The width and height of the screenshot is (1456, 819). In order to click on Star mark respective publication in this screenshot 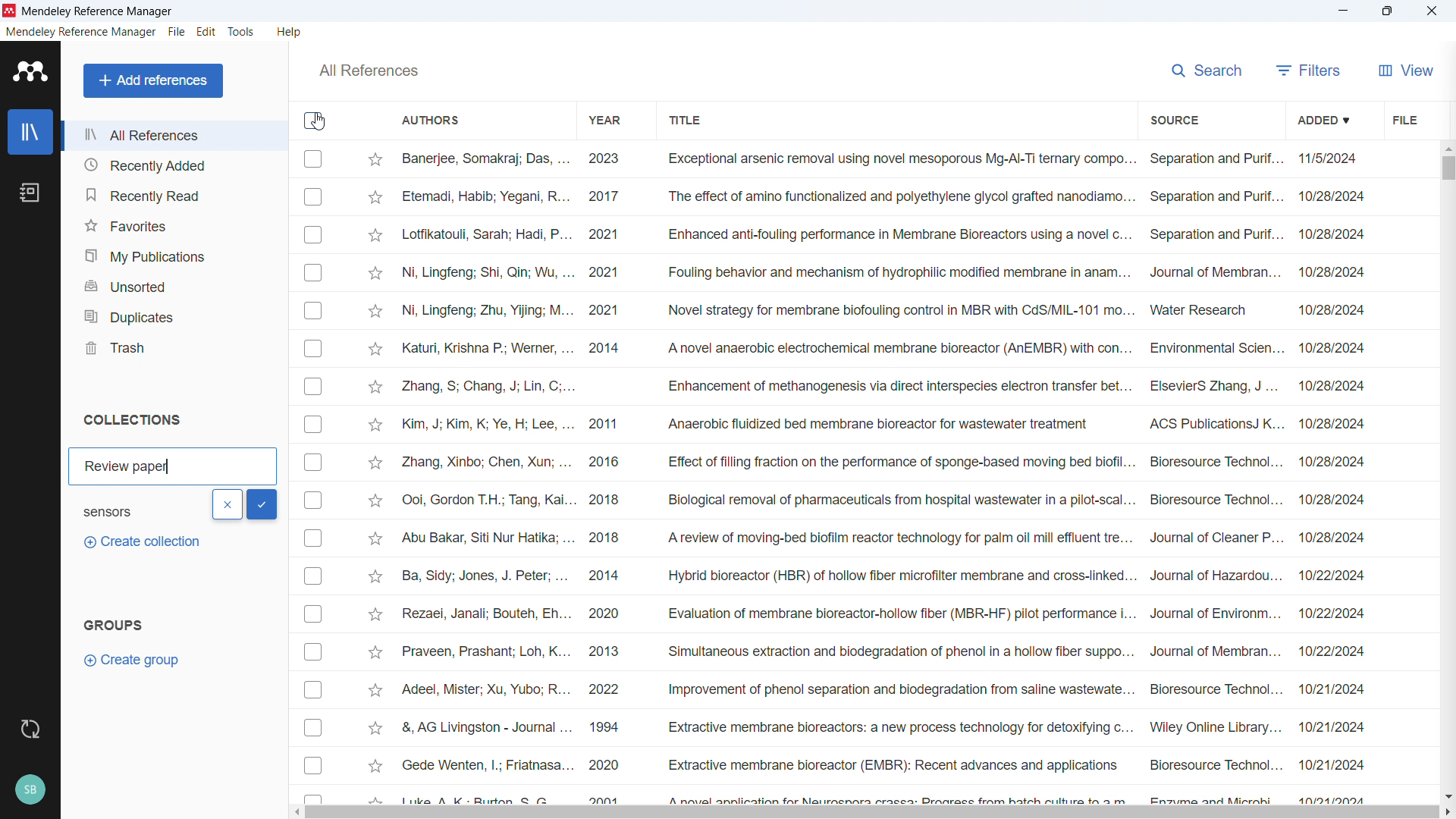, I will do `click(376, 576)`.